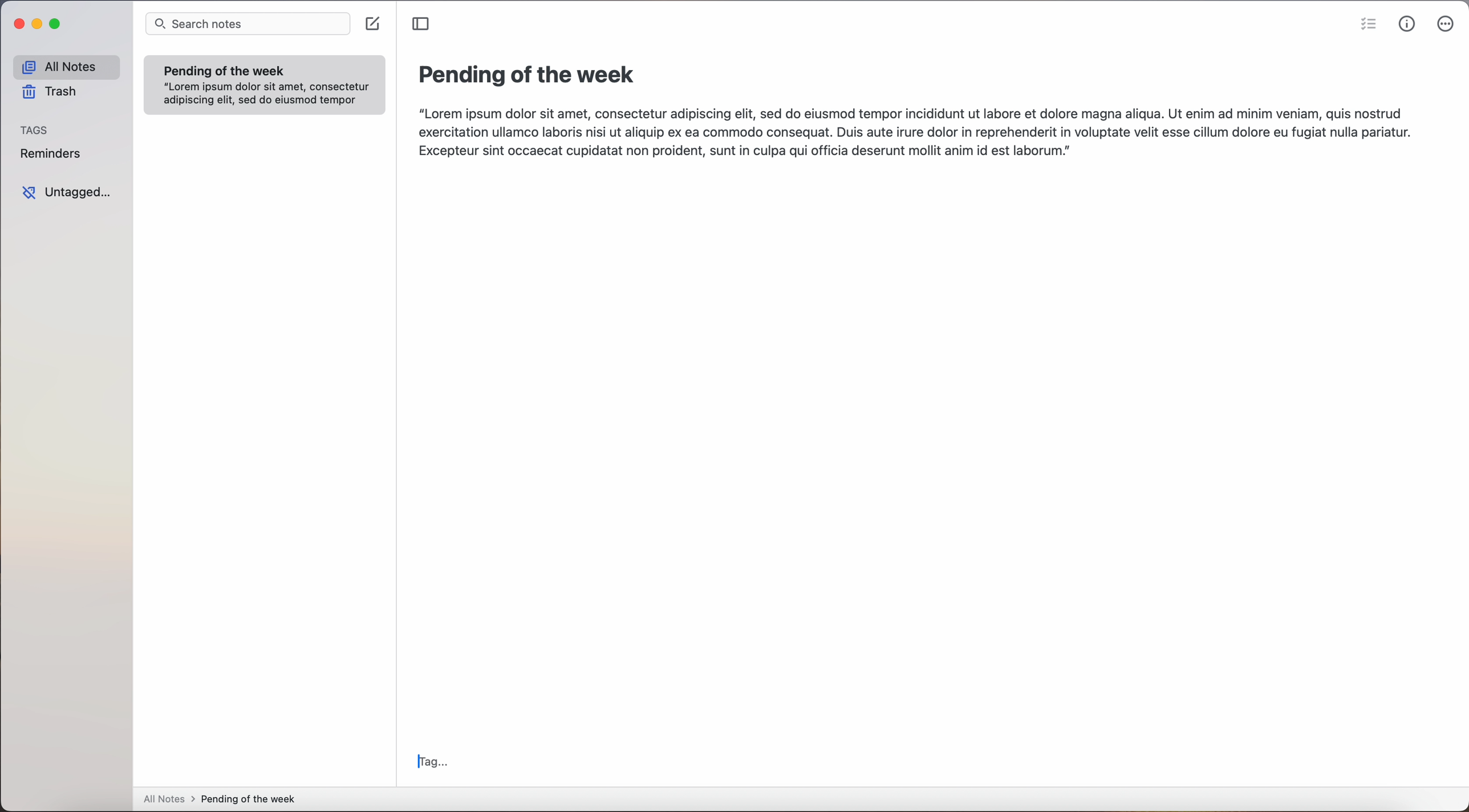 The image size is (1469, 812). Describe the element at coordinates (265, 84) in the screenshot. I see `note Pending of the week` at that location.